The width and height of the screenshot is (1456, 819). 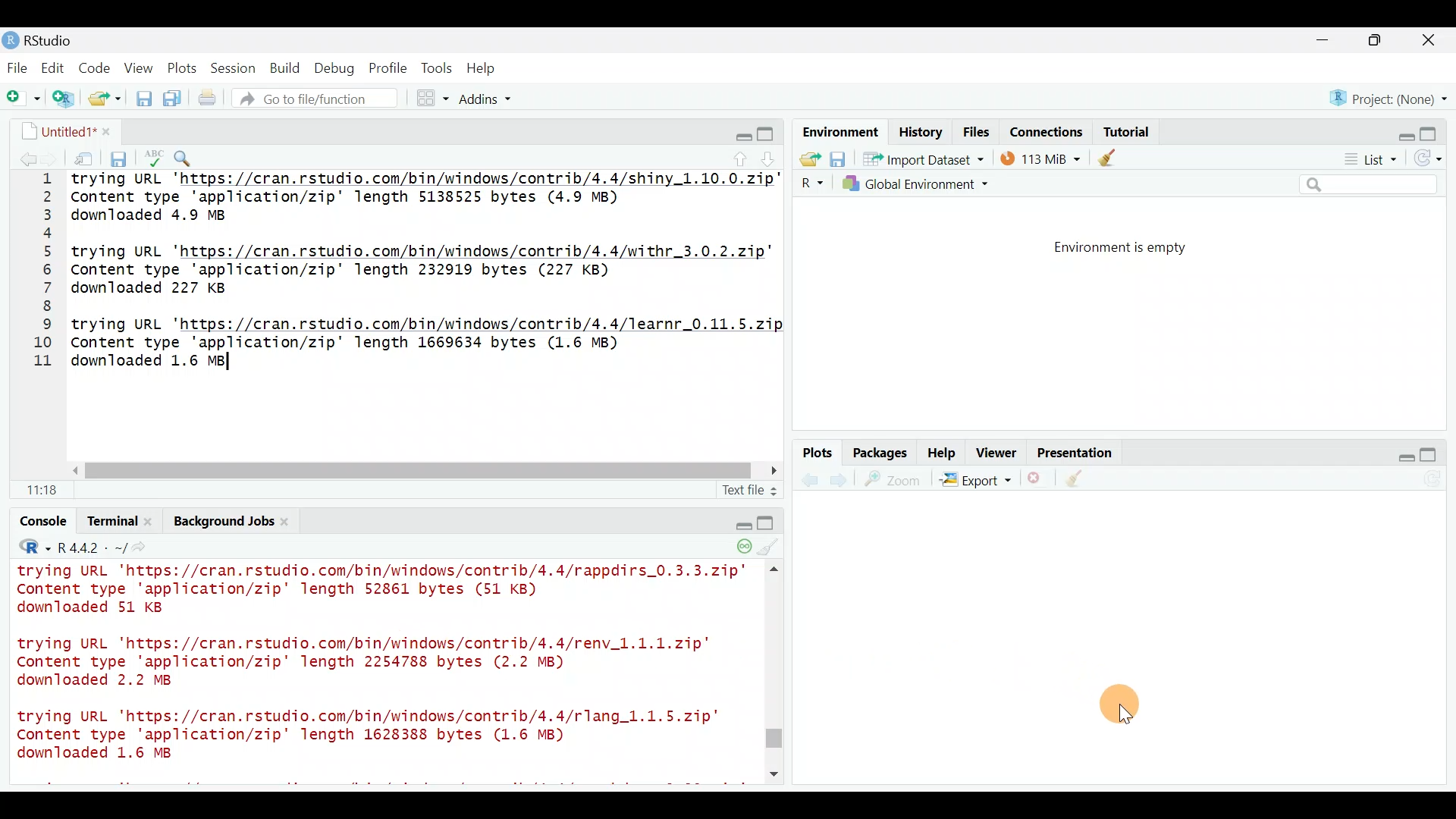 I want to click on File, so click(x=17, y=67).